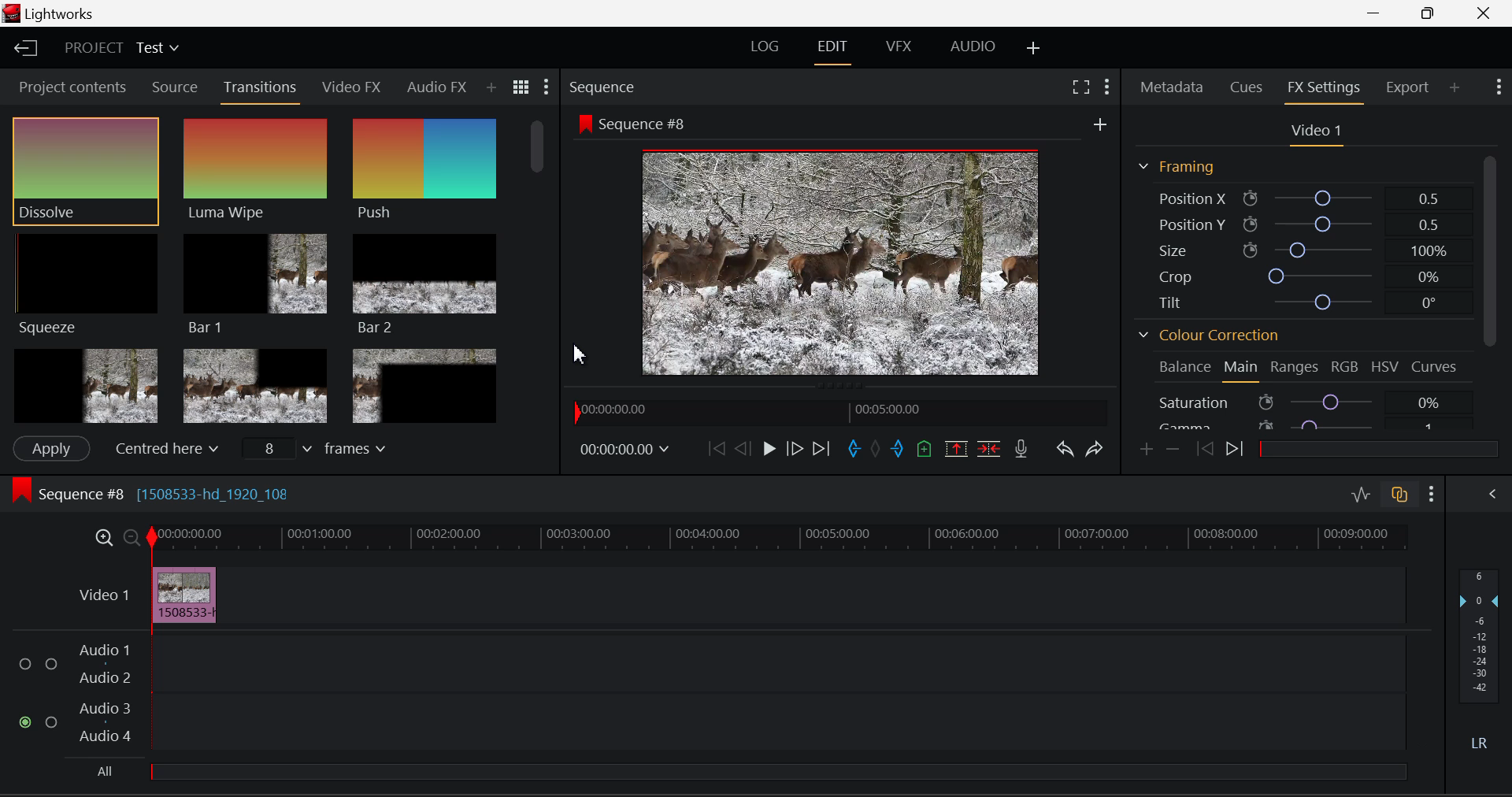  I want to click on Project Title, so click(119, 47).